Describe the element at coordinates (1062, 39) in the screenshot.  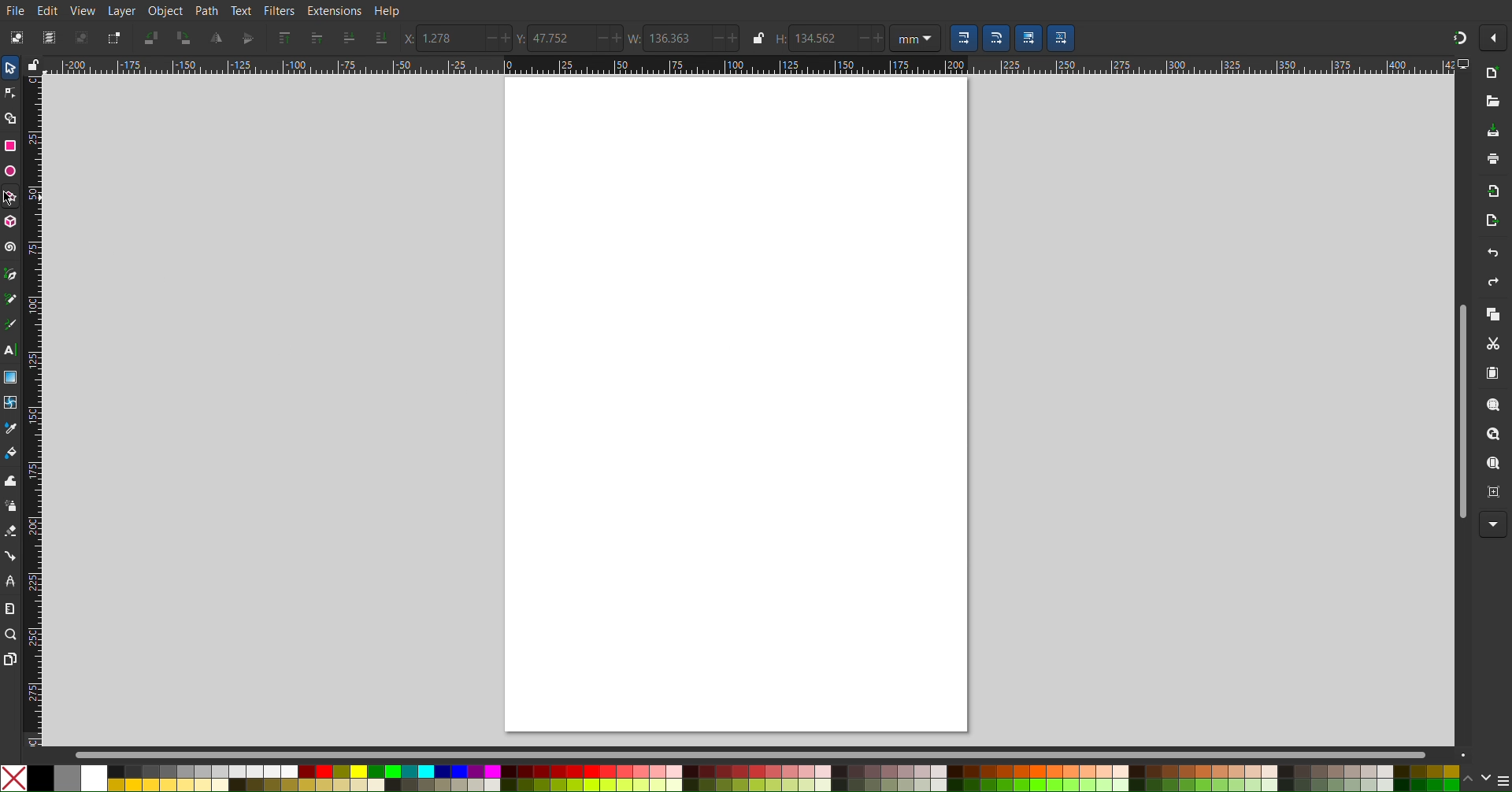
I see `Scaling Options` at that location.